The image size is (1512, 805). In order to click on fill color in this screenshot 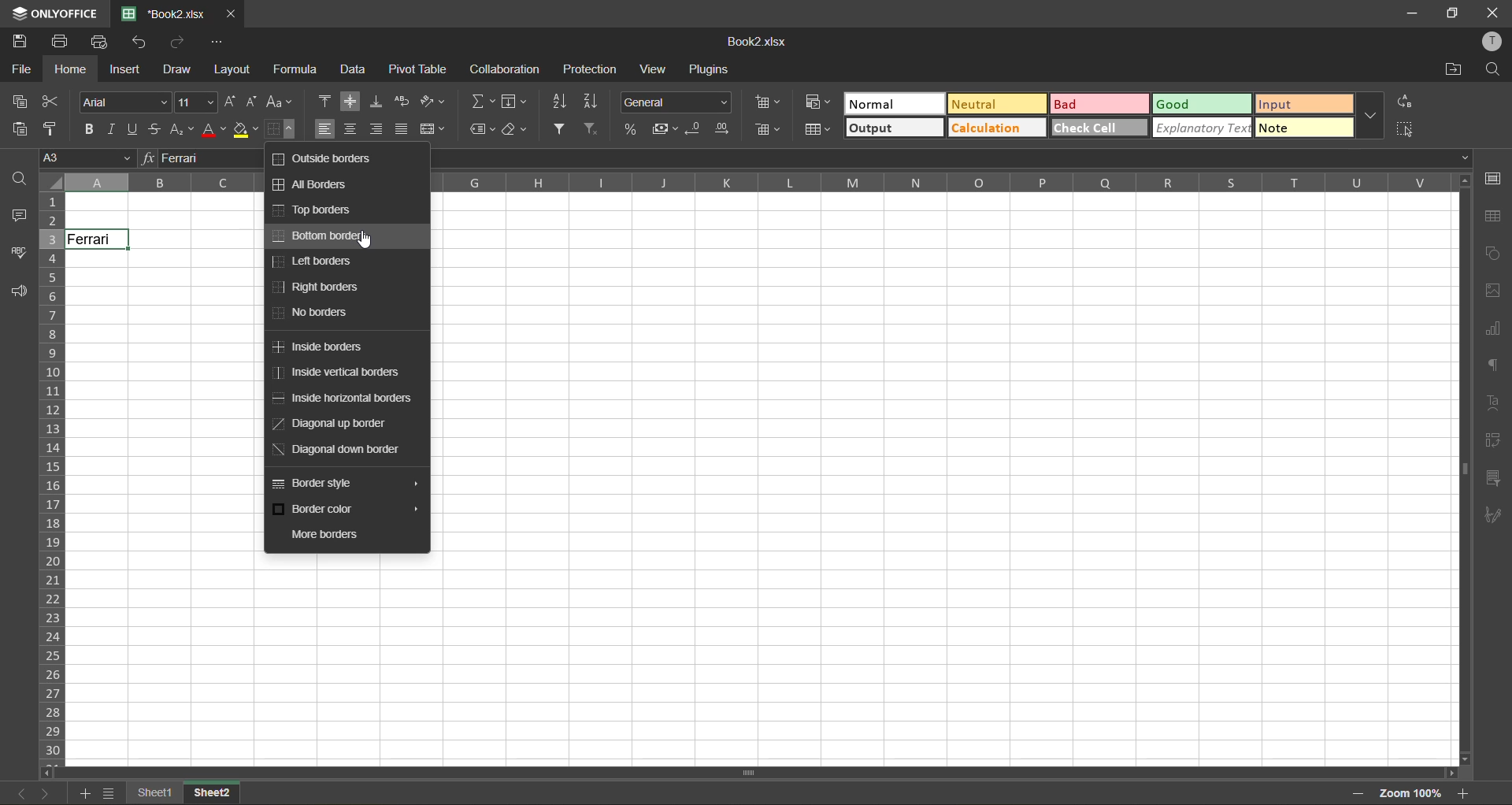, I will do `click(245, 131)`.